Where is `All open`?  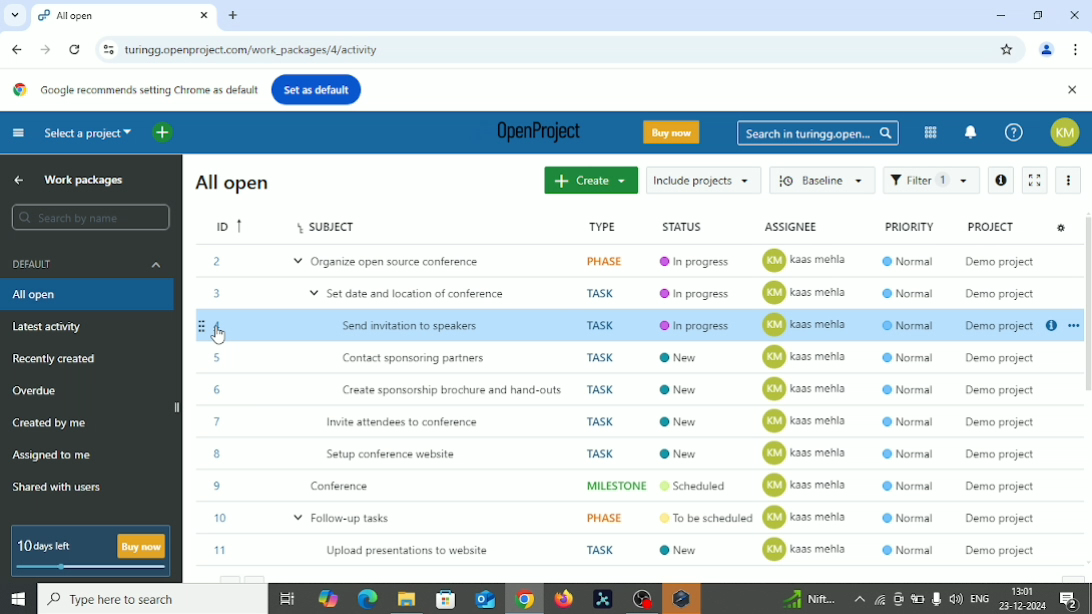
All open is located at coordinates (238, 182).